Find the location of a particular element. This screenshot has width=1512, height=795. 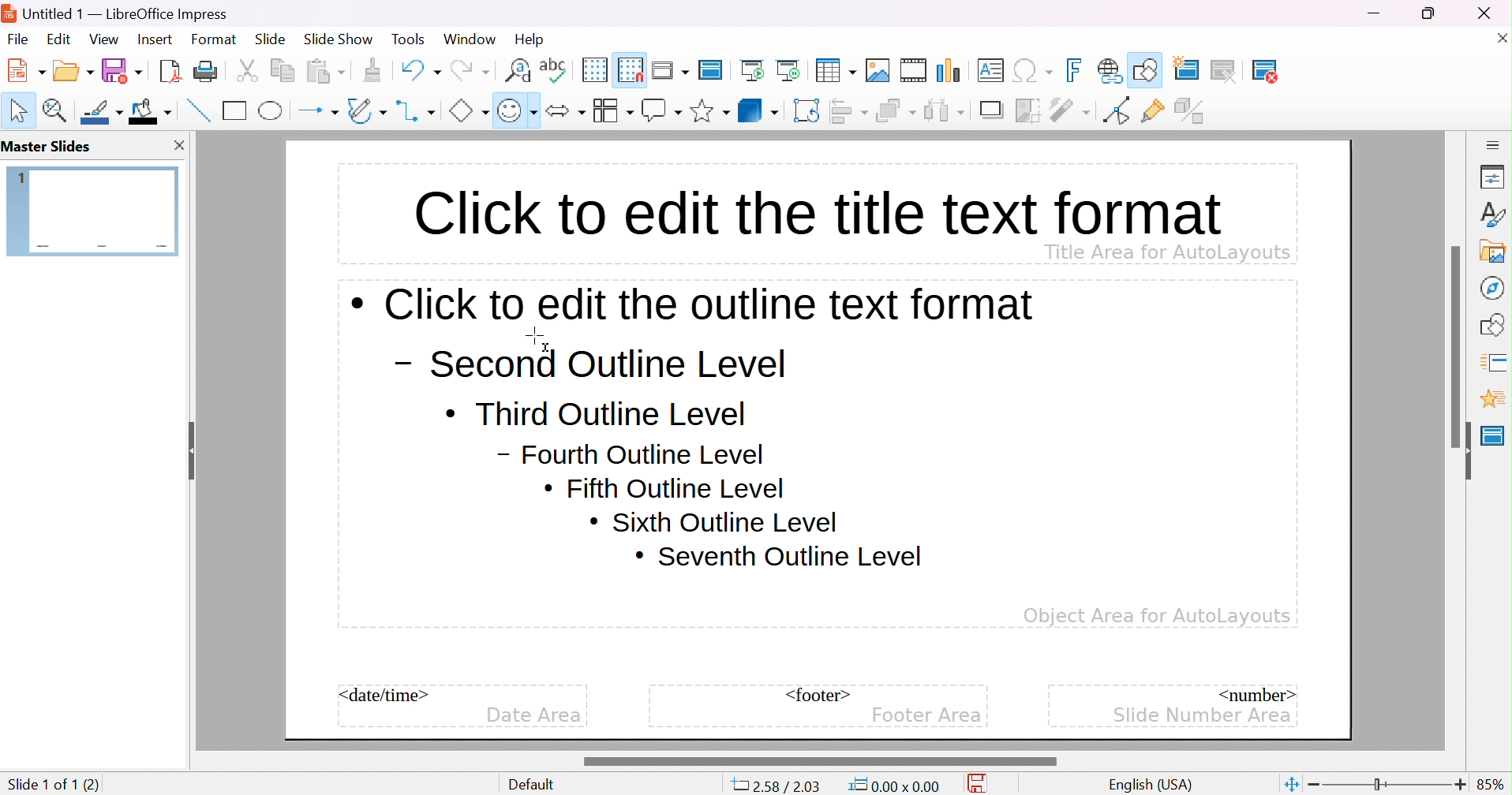

hide is located at coordinates (189, 446).